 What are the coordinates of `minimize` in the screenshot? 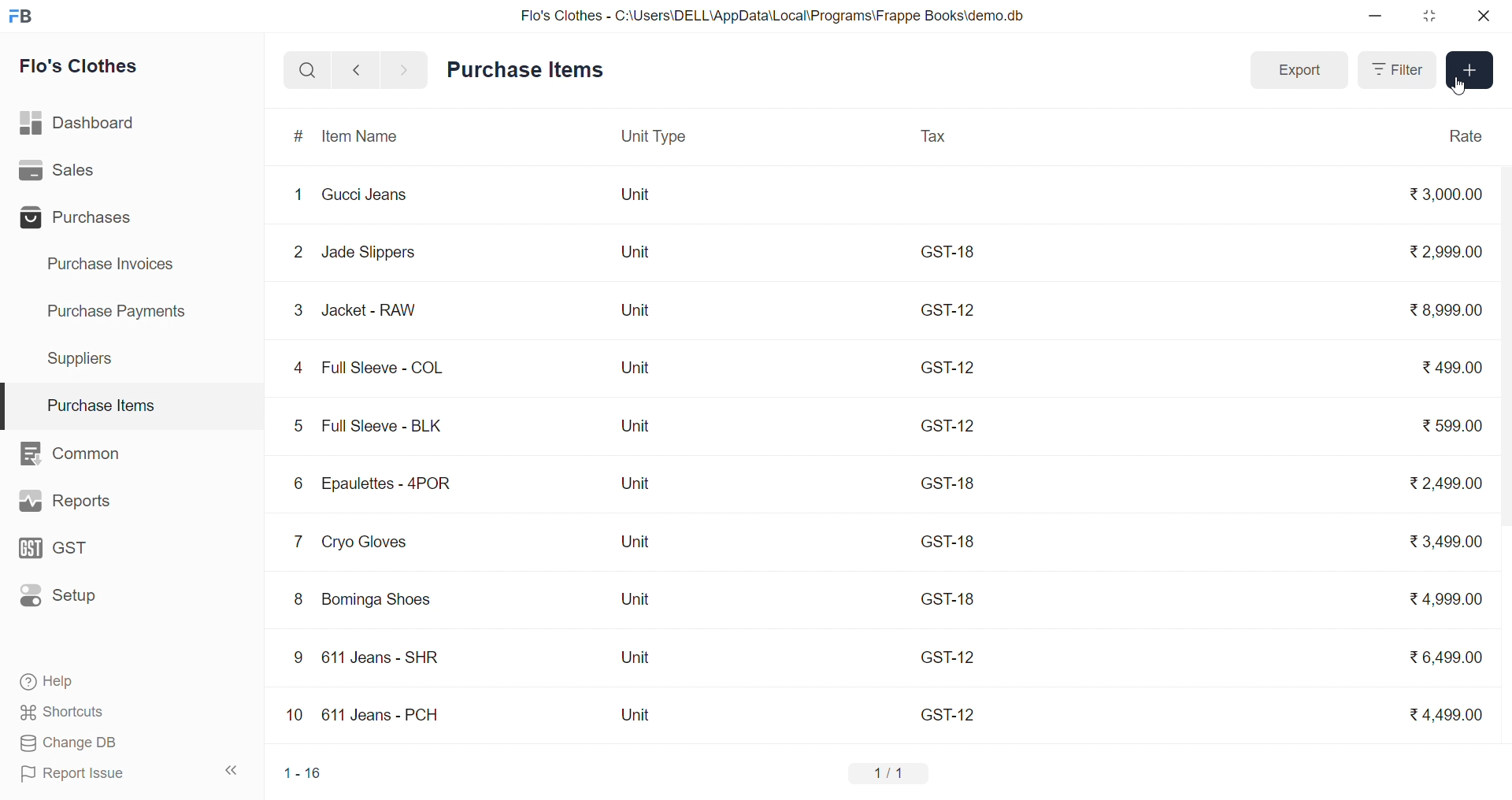 It's located at (1381, 16).